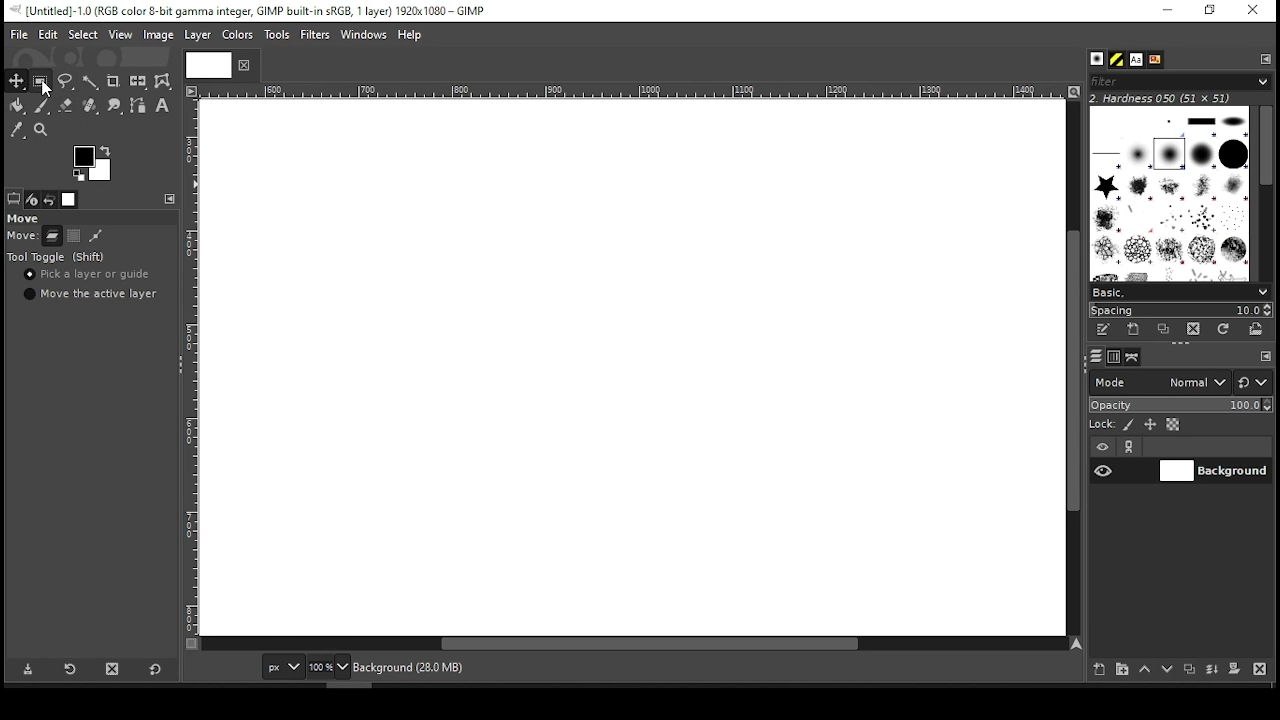 The width and height of the screenshot is (1280, 720). Describe the element at coordinates (18, 105) in the screenshot. I see `paint bucket tool` at that location.